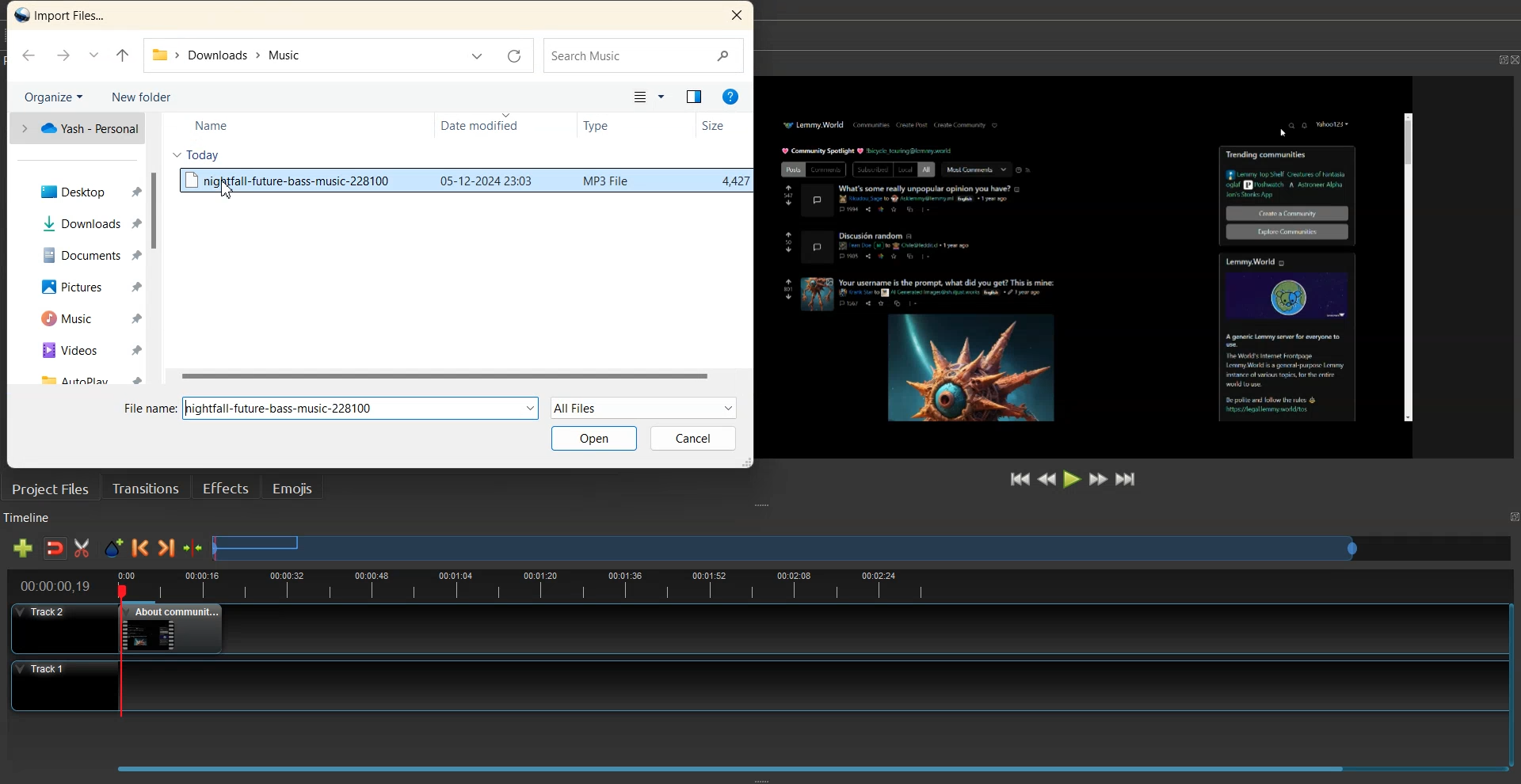 The width and height of the screenshot is (1521, 784). I want to click on Go Back, so click(29, 55).